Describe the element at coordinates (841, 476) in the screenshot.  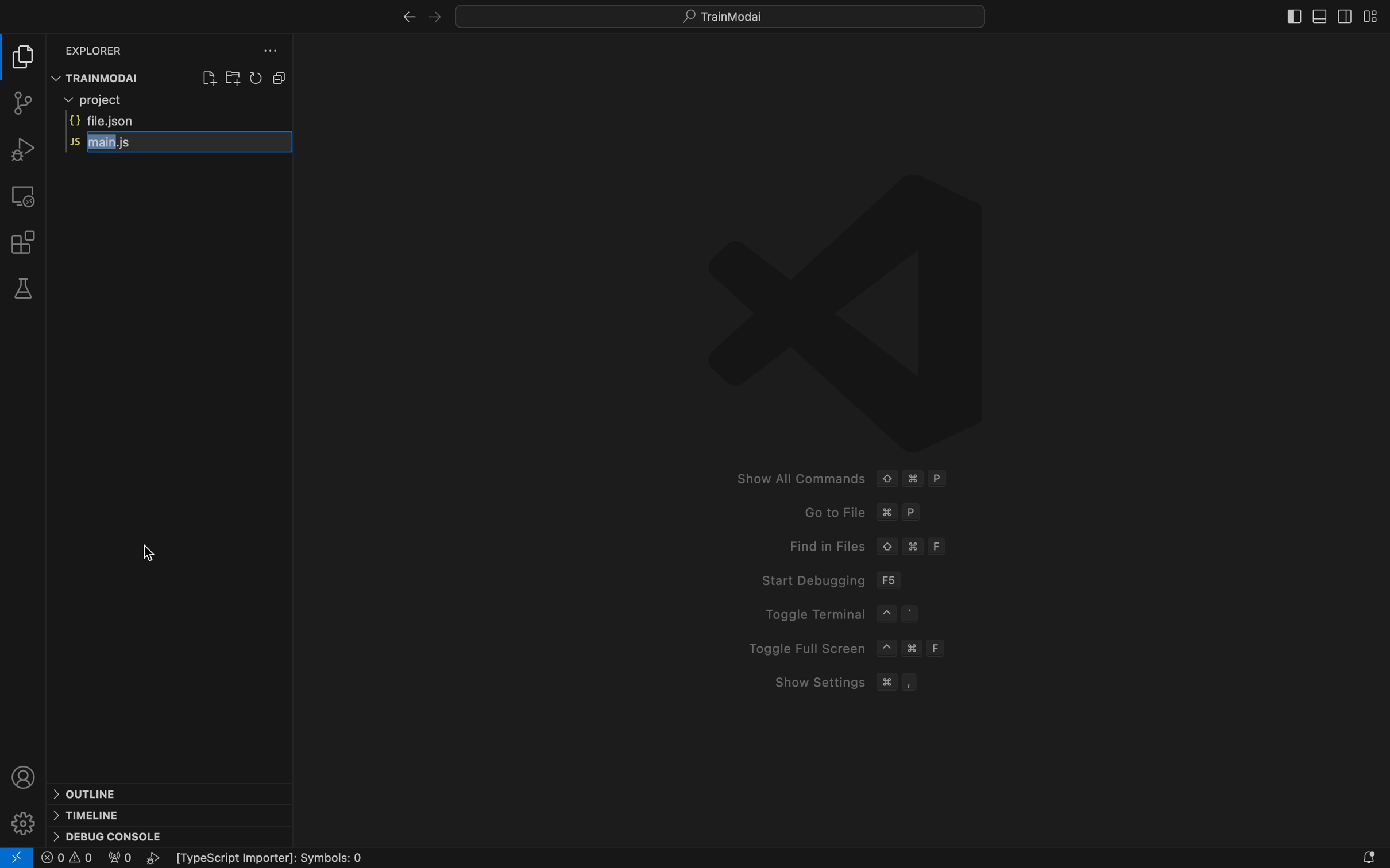
I see `Show All Commands © # P
Goto File %# P
Find in Files © # F
Start Debugging F56
Toggle Terminal ~ °
Toggle Full Screen ~ # F
Show Settings # ,` at that location.